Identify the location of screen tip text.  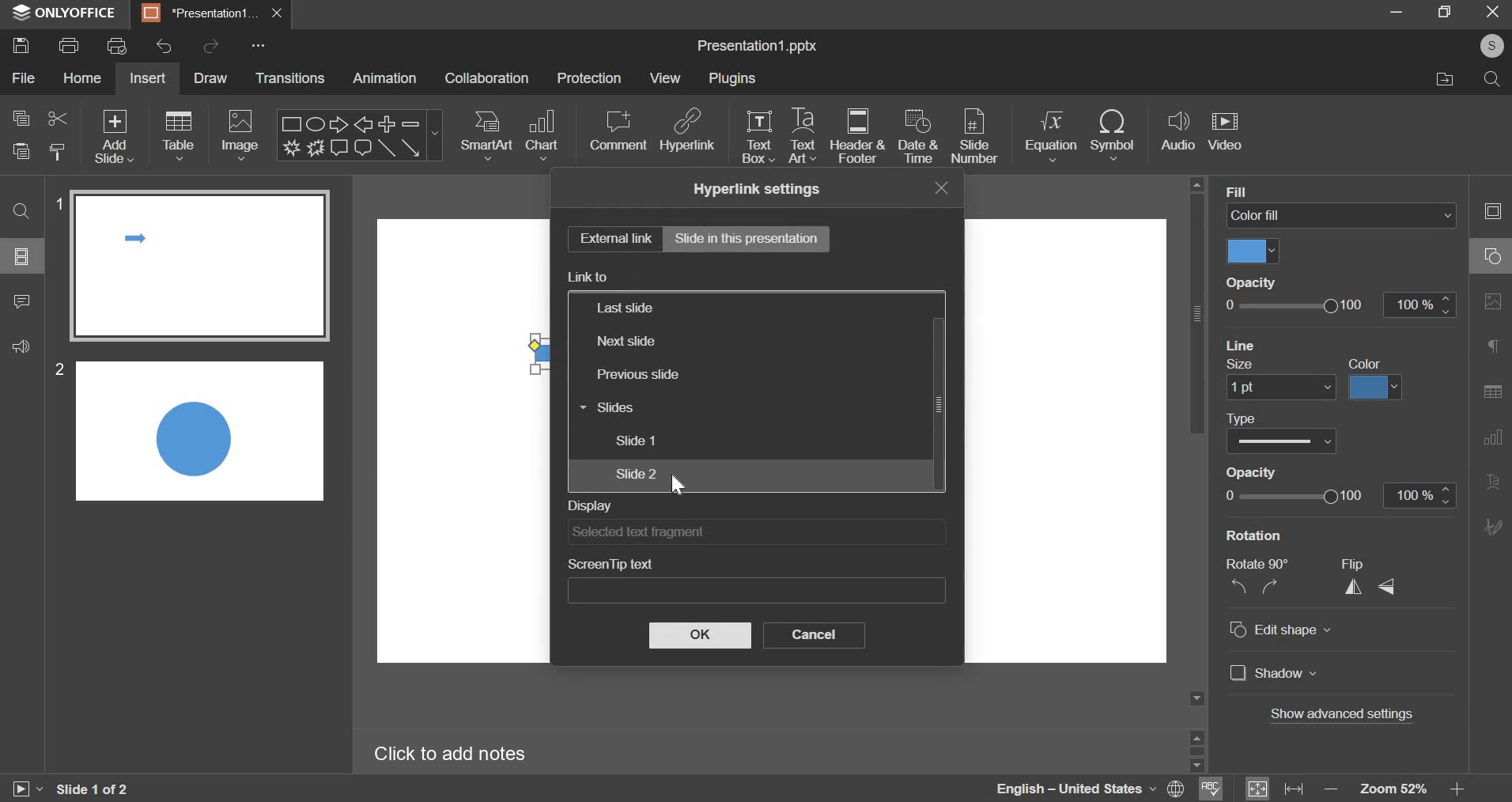
(610, 566).